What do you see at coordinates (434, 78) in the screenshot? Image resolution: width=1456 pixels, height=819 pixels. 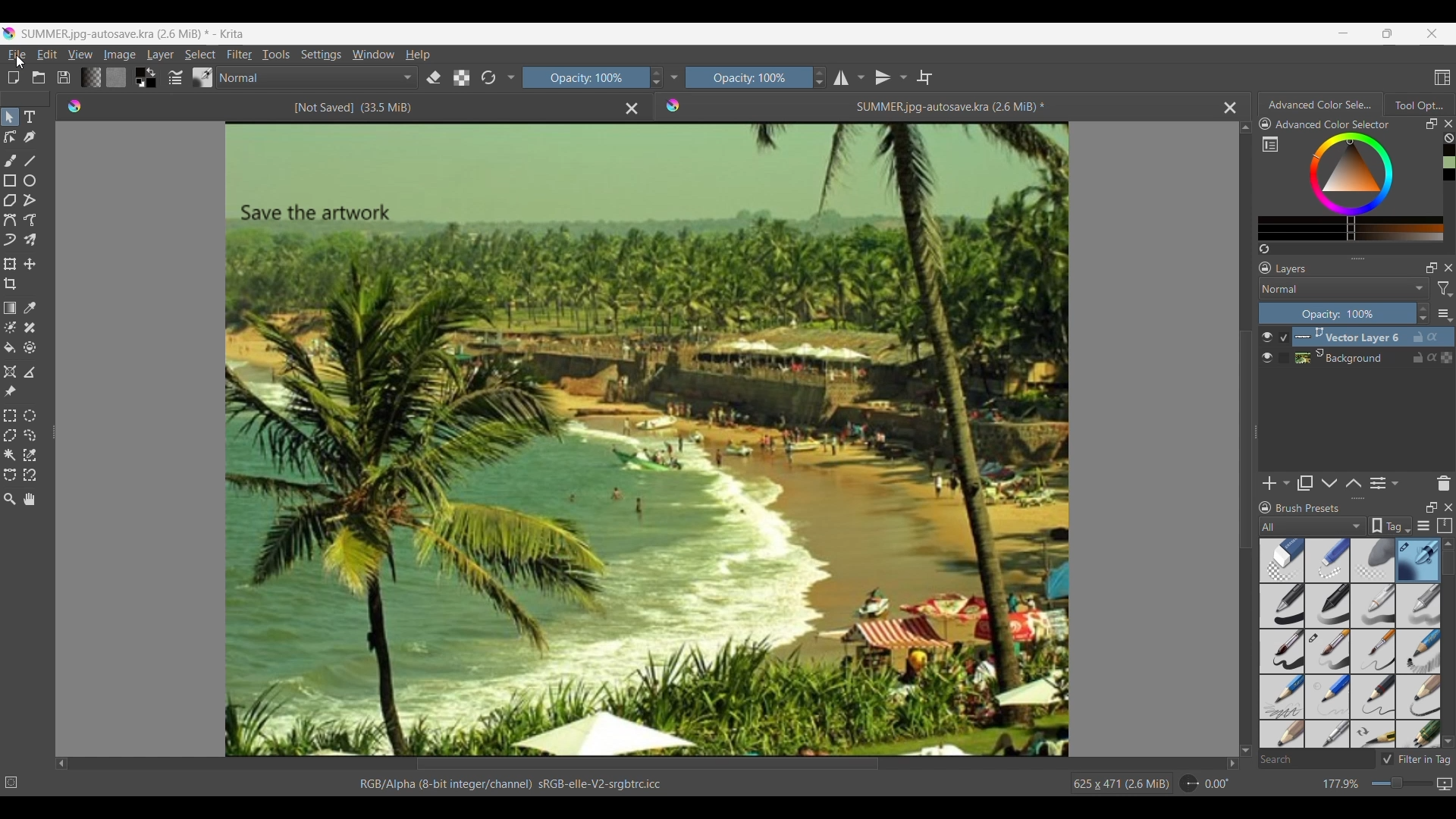 I see `Set to erase mode` at bounding box center [434, 78].